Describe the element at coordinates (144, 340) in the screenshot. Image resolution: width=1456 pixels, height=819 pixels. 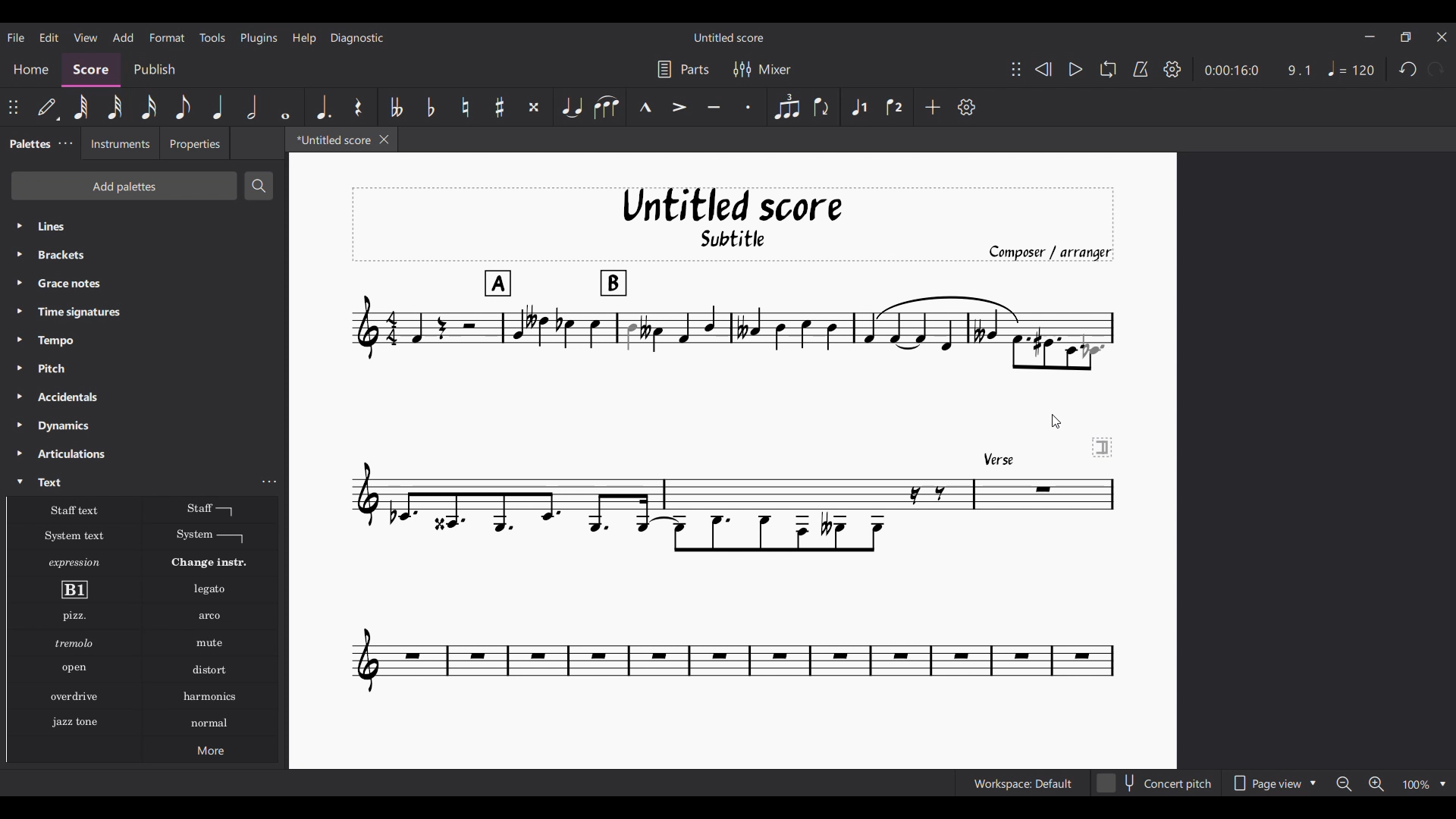
I see `Tempo` at that location.